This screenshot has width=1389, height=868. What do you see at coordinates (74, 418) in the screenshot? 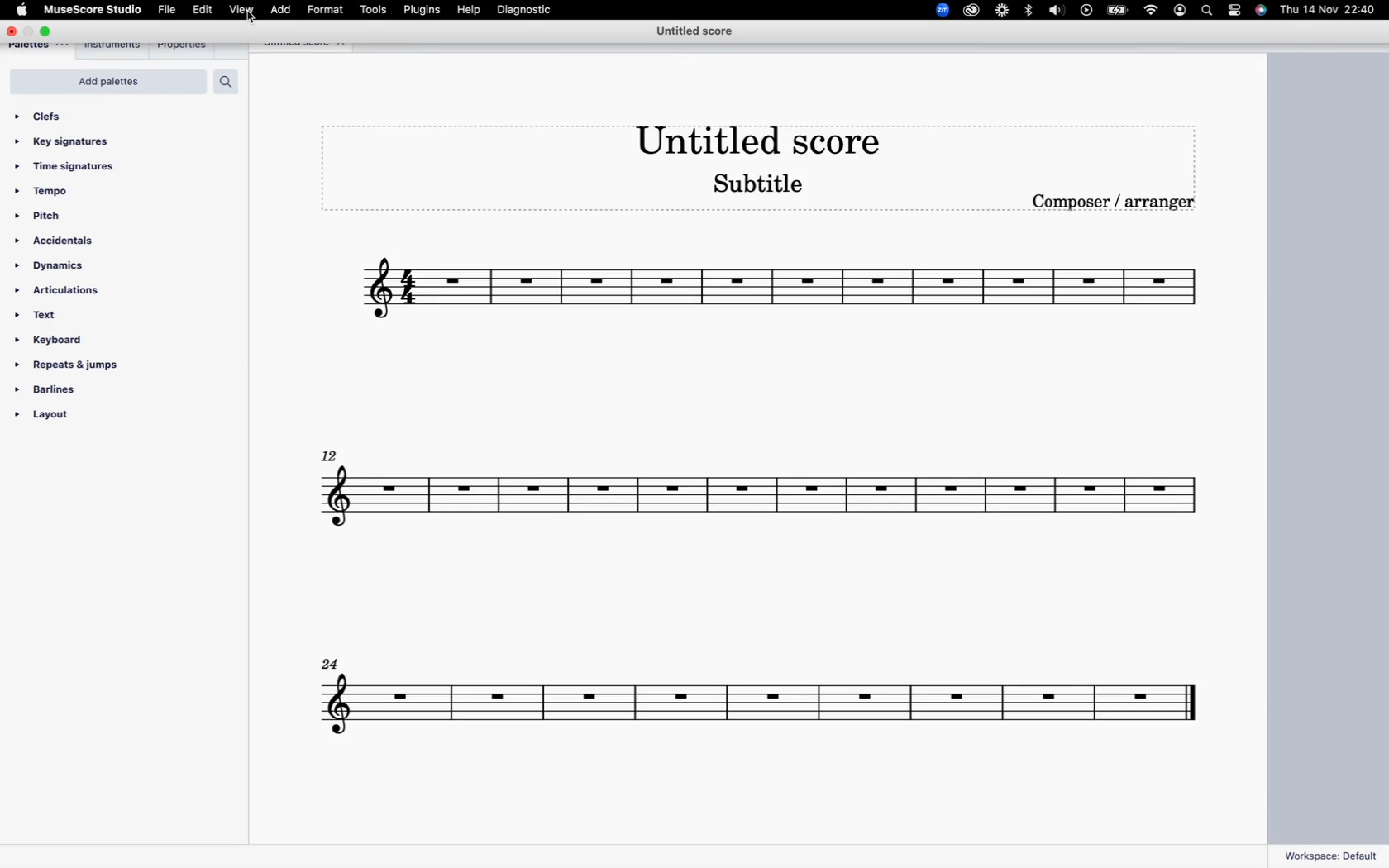
I see `layout` at bounding box center [74, 418].